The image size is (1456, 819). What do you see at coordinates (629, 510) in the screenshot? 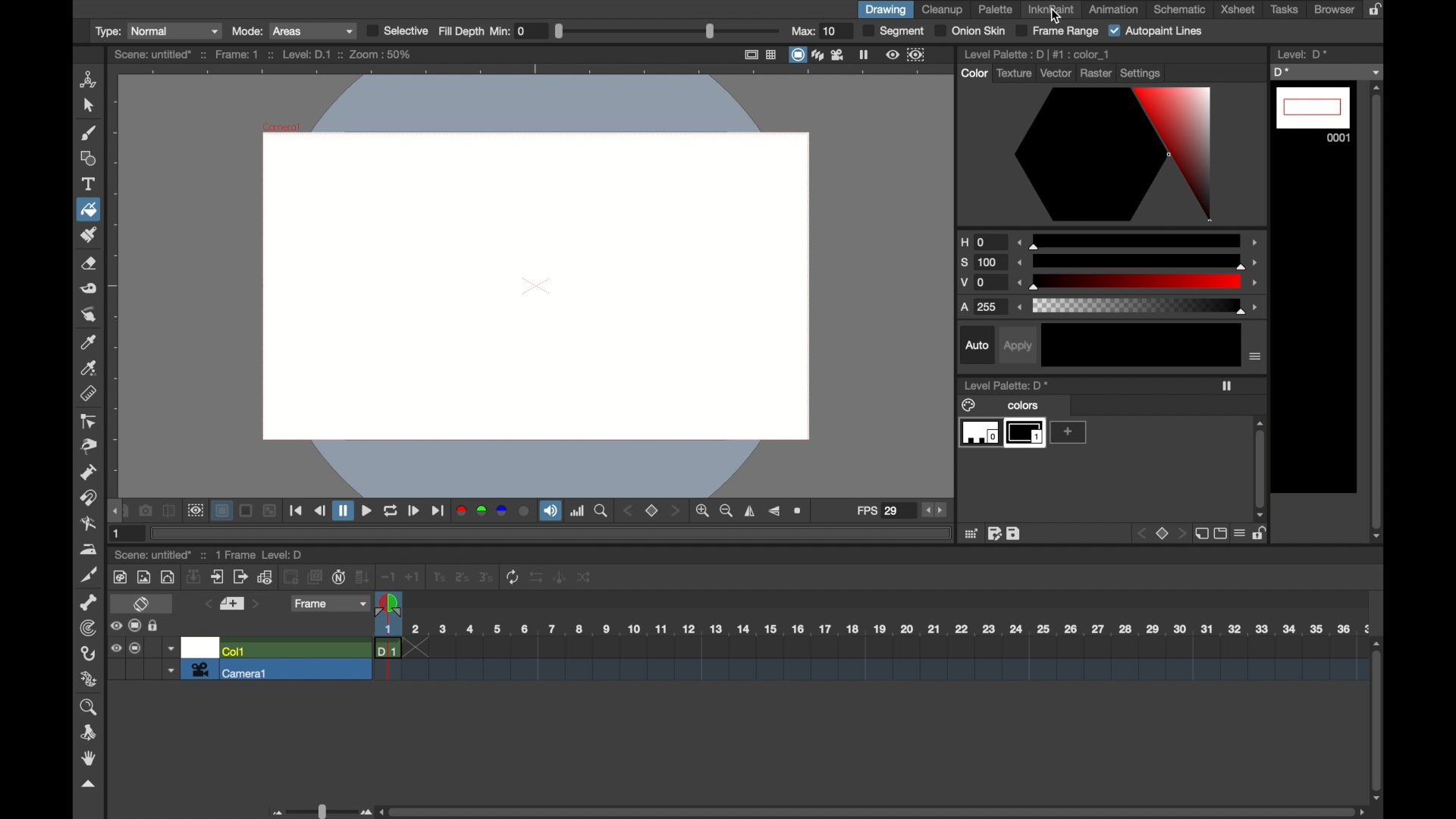
I see `back` at bounding box center [629, 510].